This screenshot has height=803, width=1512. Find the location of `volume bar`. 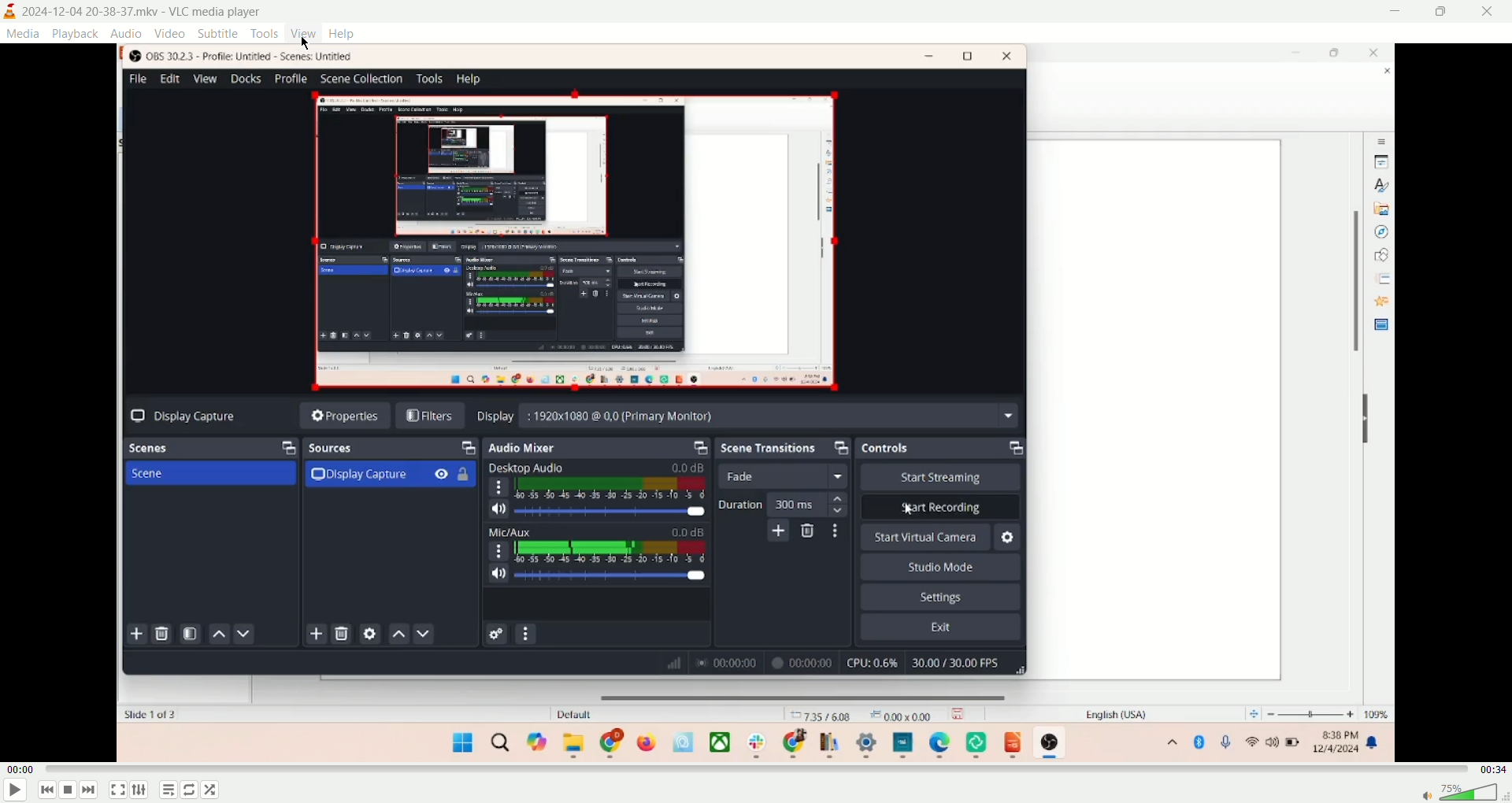

volume bar is located at coordinates (1460, 792).